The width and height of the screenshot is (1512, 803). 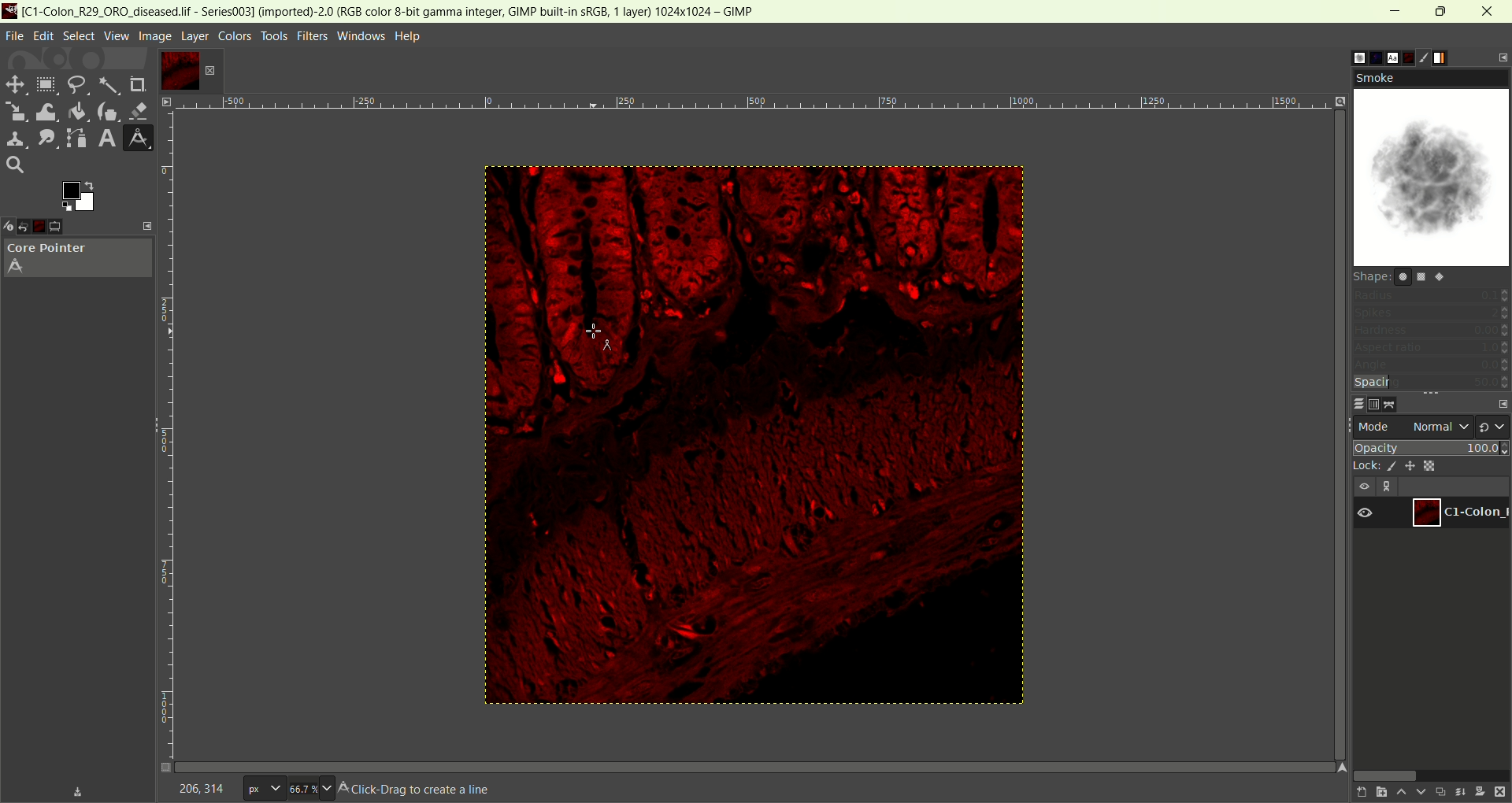 What do you see at coordinates (1366, 55) in the screenshot?
I see `pattern` at bounding box center [1366, 55].